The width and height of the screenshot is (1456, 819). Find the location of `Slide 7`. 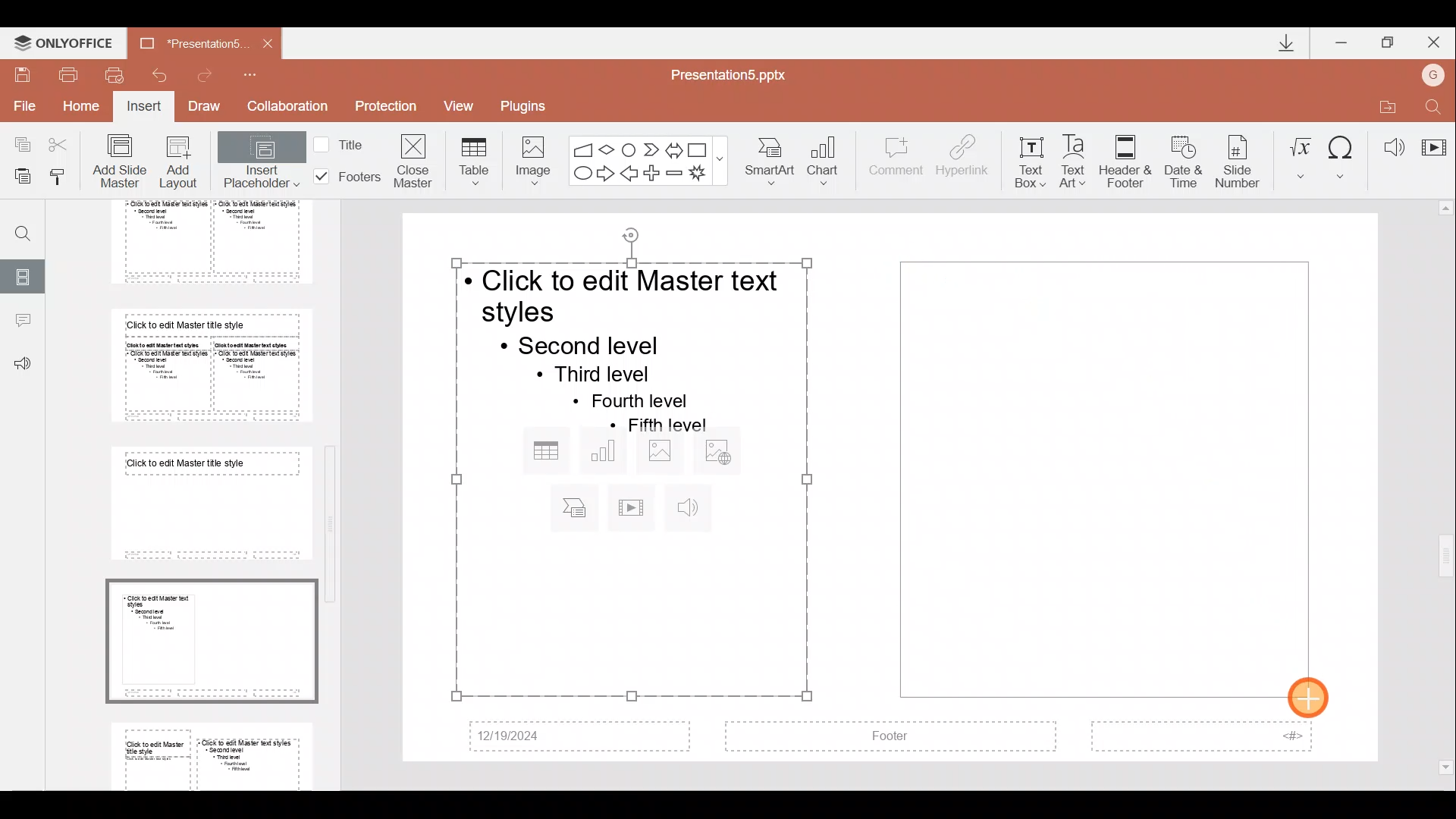

Slide 7 is located at coordinates (206, 503).